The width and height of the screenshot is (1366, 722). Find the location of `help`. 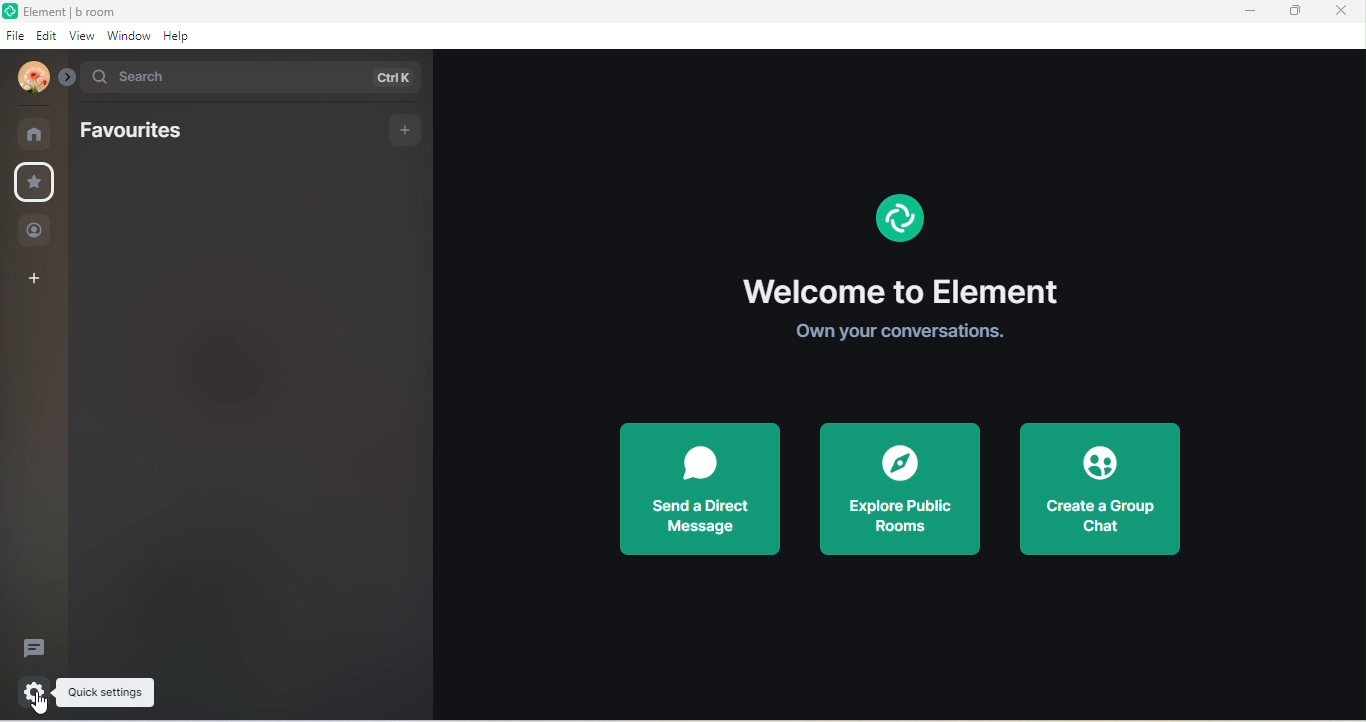

help is located at coordinates (181, 37).